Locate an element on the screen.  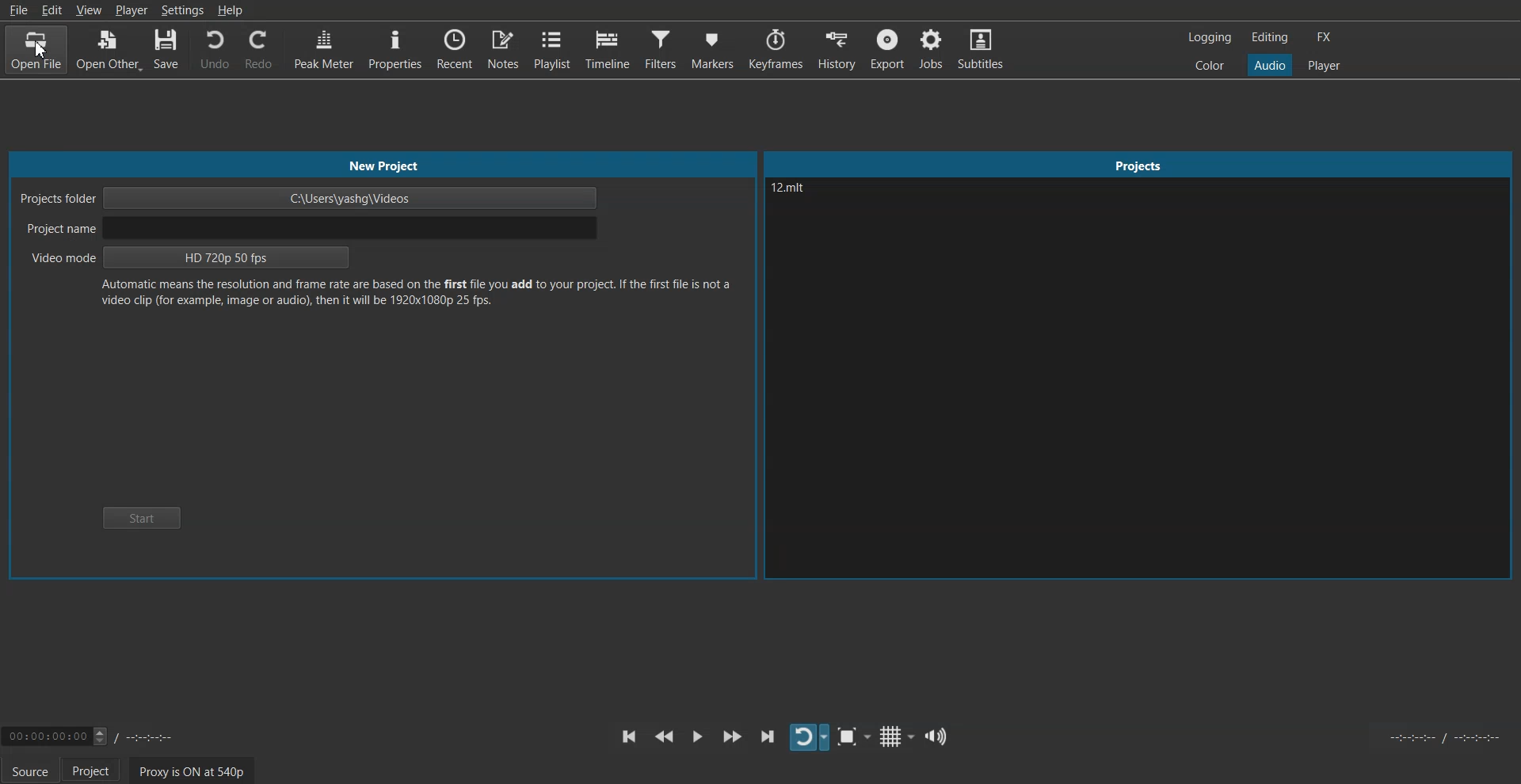
Toggle player looping is located at coordinates (808, 737).